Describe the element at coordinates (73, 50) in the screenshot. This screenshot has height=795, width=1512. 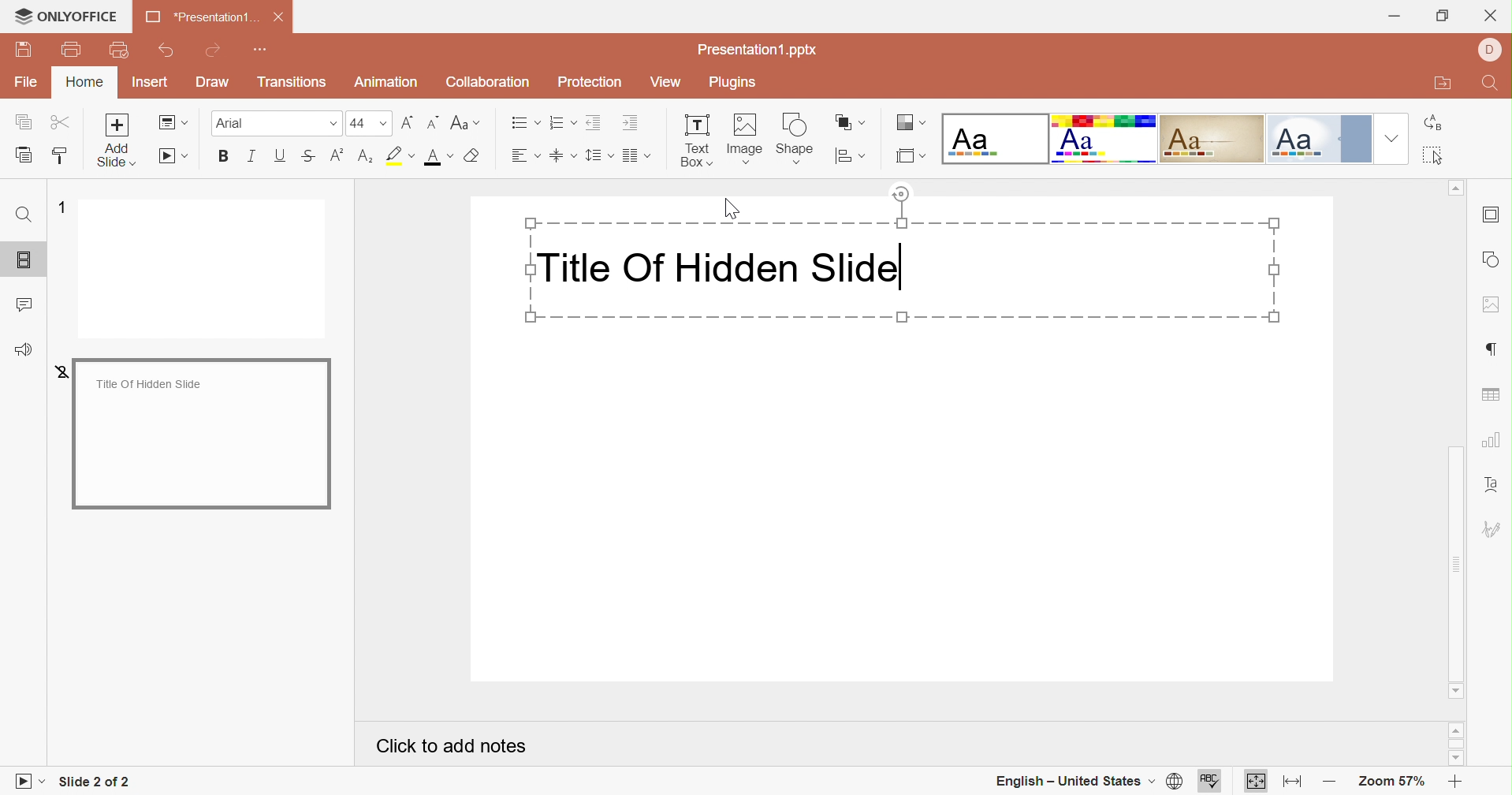
I see `Print file` at that location.